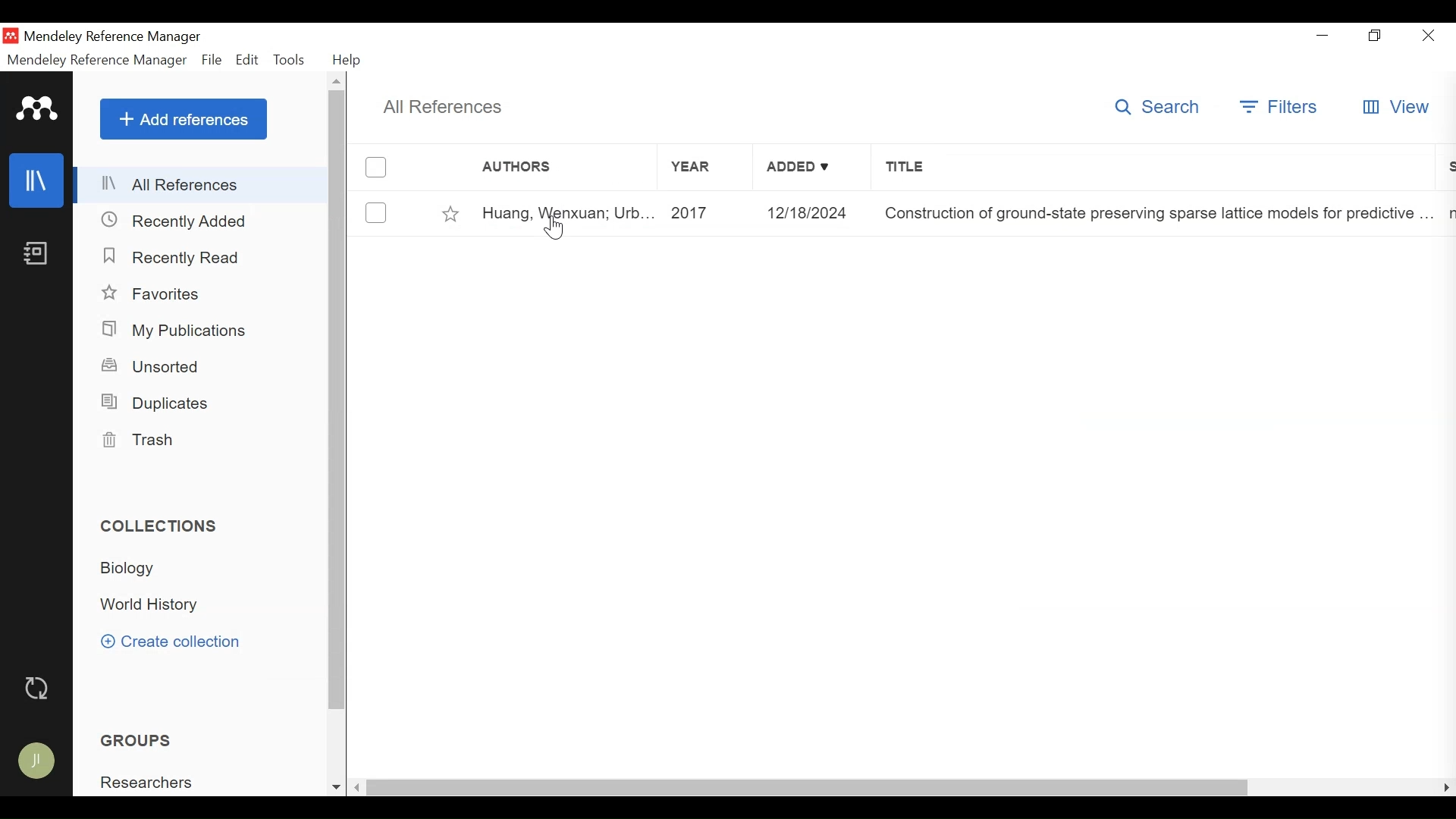 The height and width of the screenshot is (819, 1456). Describe the element at coordinates (1375, 37) in the screenshot. I see `Restore` at that location.